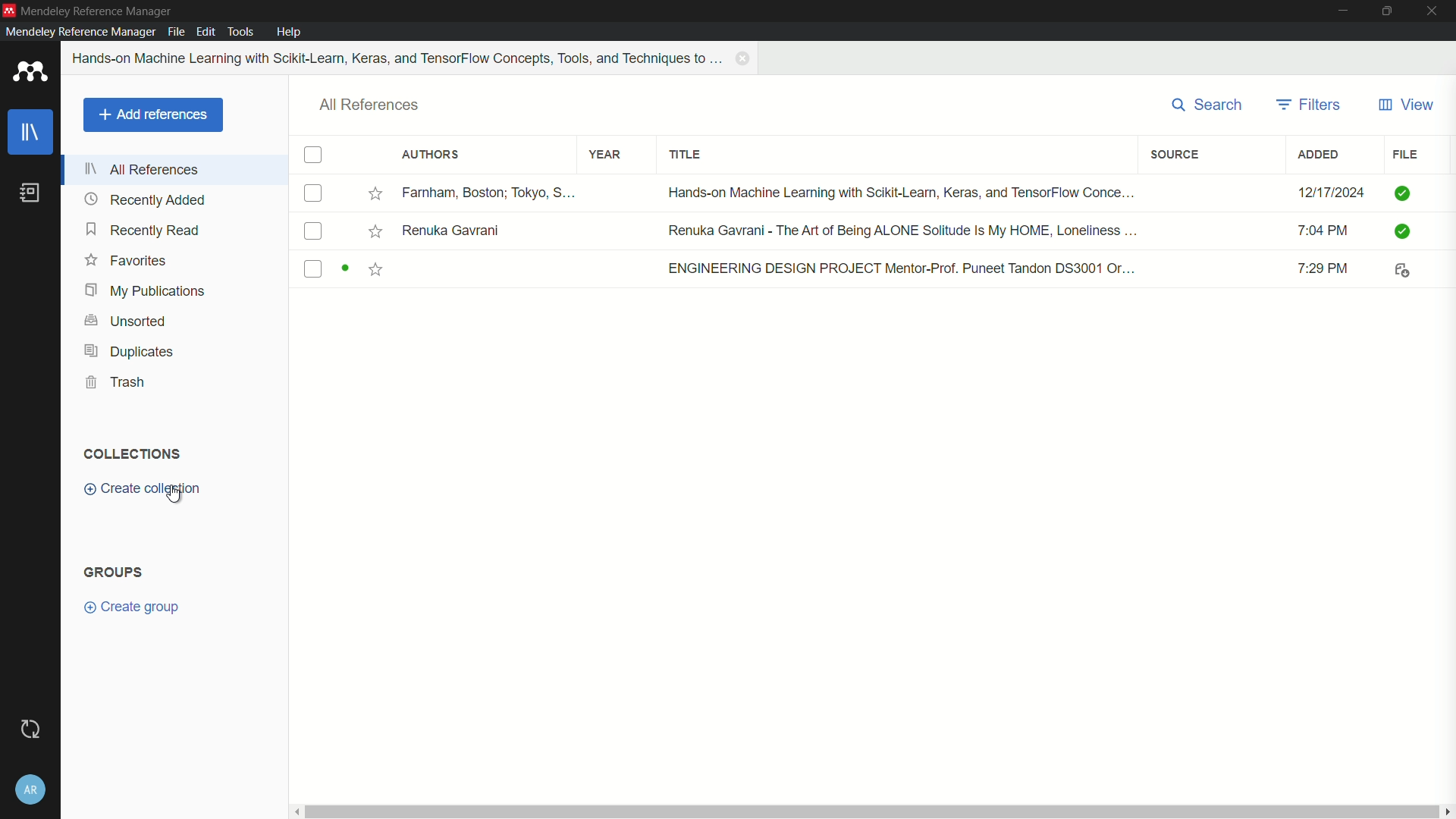  Describe the element at coordinates (33, 791) in the screenshot. I see `account and help` at that location.